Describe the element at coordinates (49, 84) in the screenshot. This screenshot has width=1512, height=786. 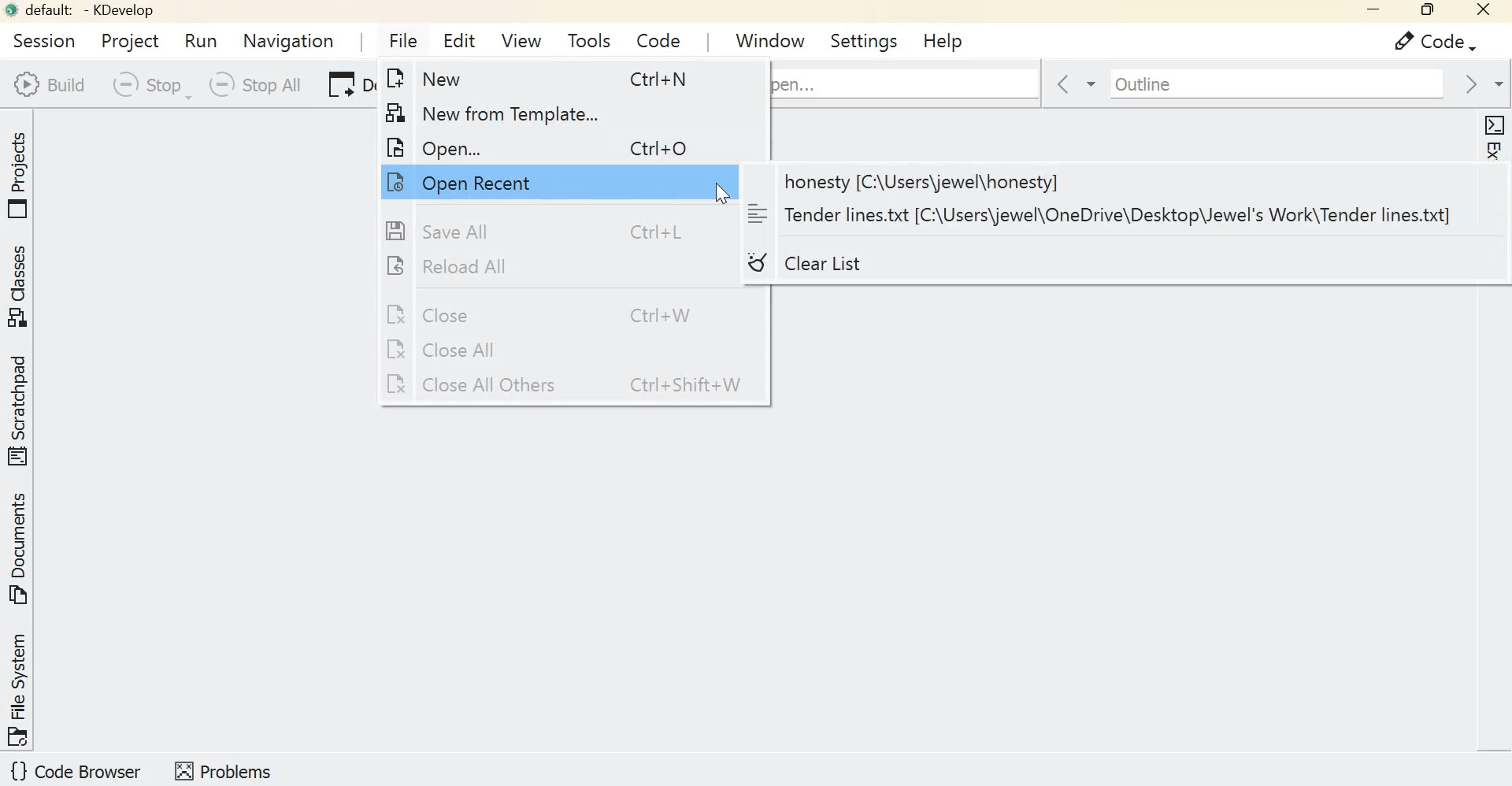
I see `Build Selection` at that location.